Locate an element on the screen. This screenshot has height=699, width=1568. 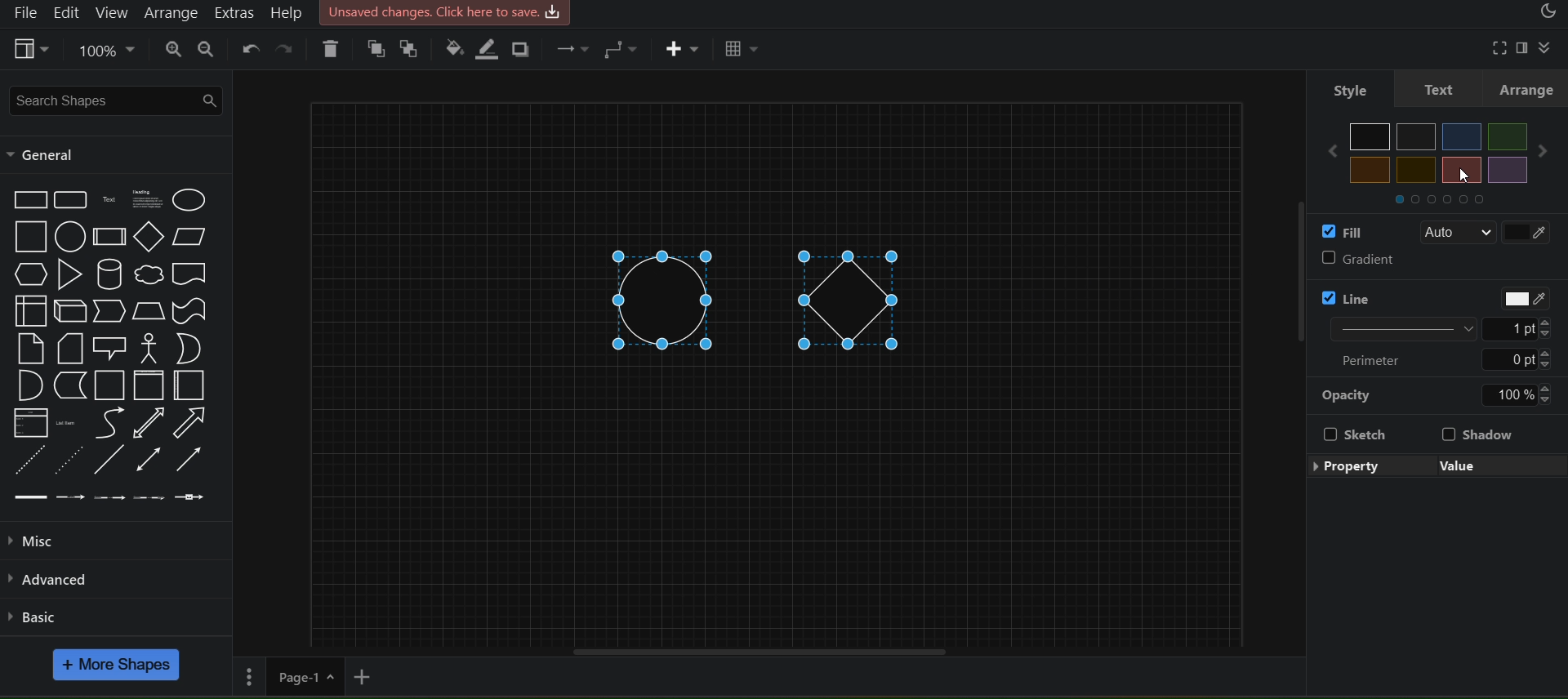
diamond is located at coordinates (855, 299).